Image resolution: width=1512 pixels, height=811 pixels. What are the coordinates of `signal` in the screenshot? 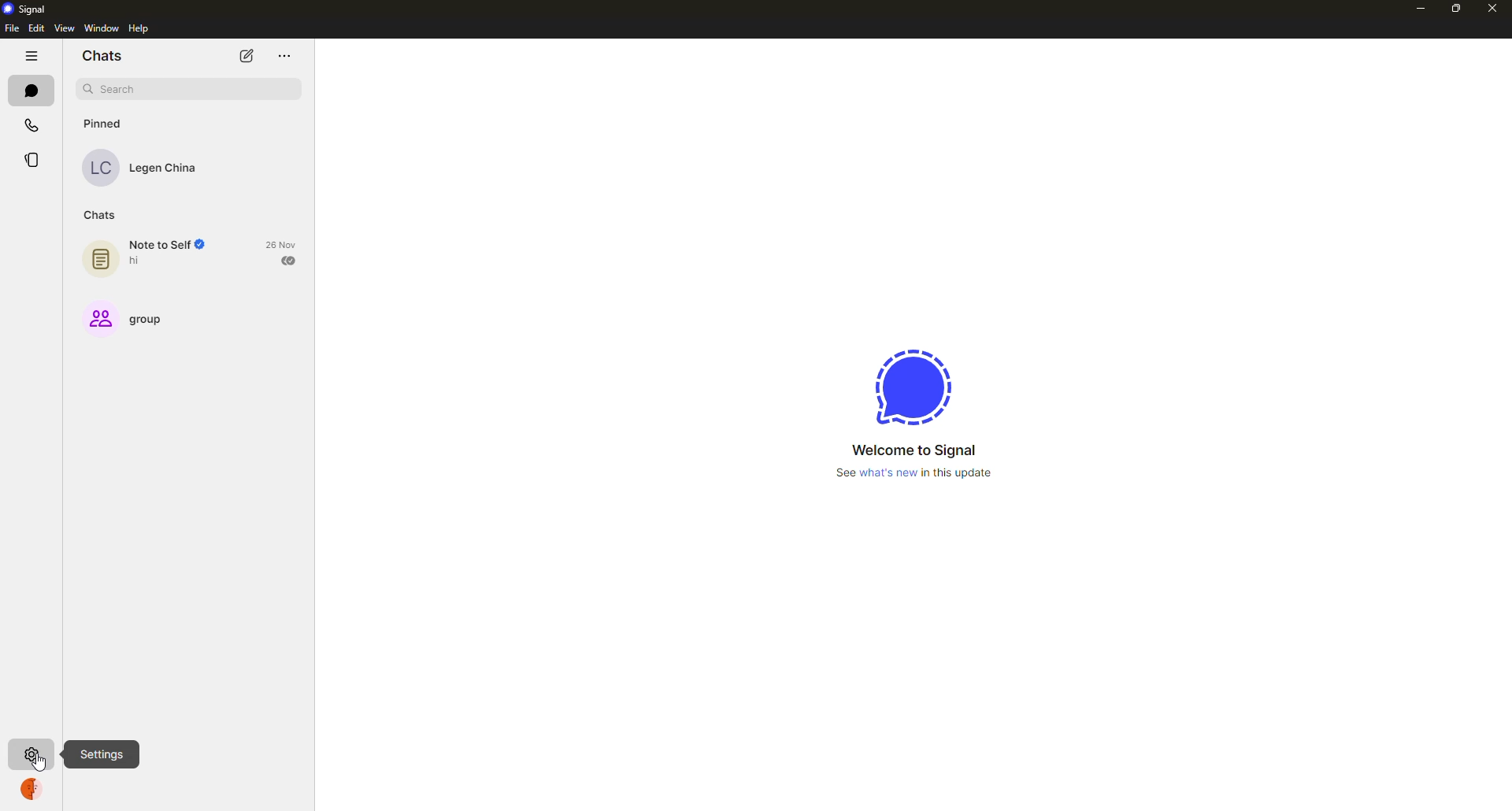 It's located at (28, 10).